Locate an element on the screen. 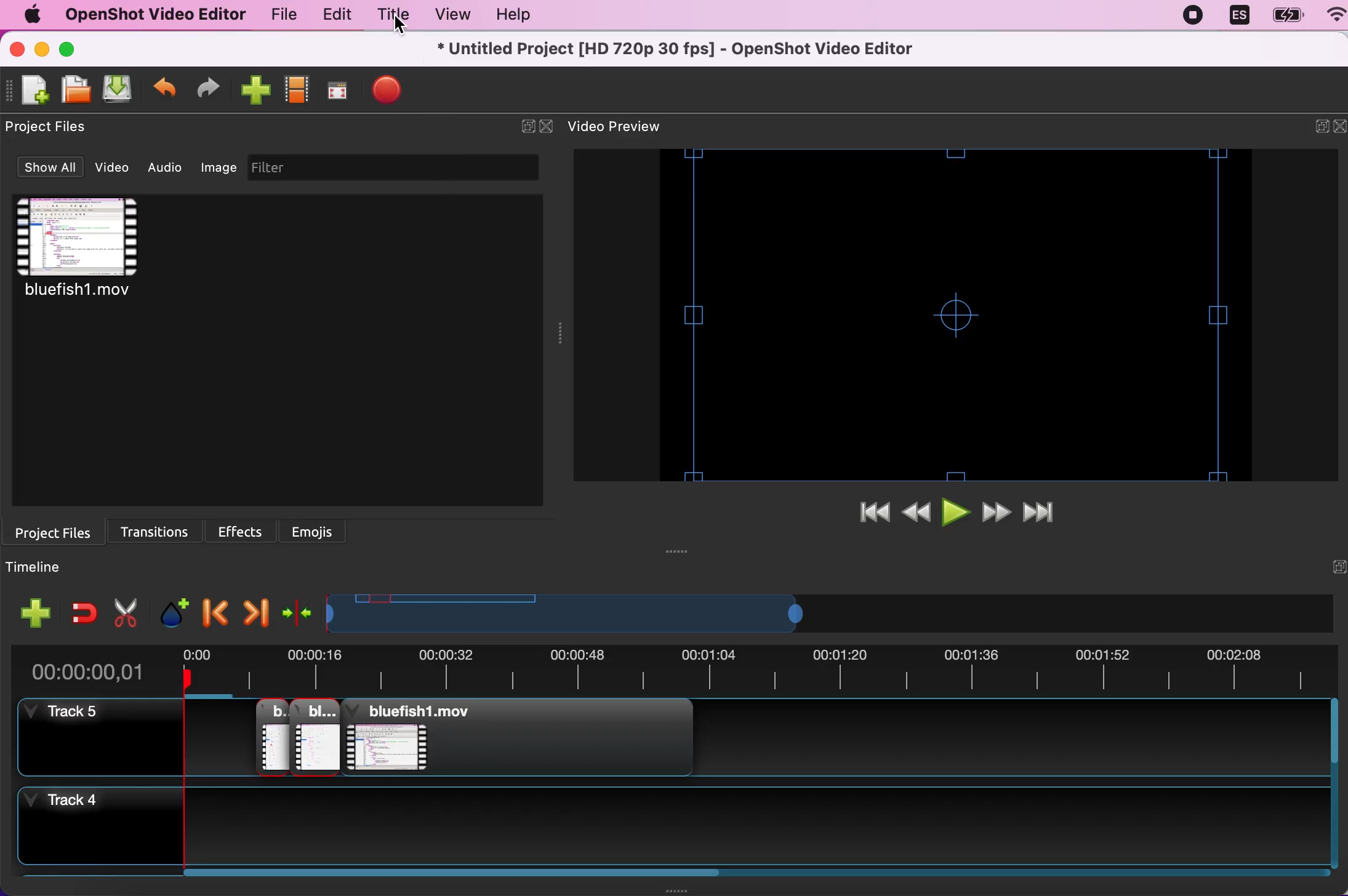  track 4 is located at coordinates (91, 828).